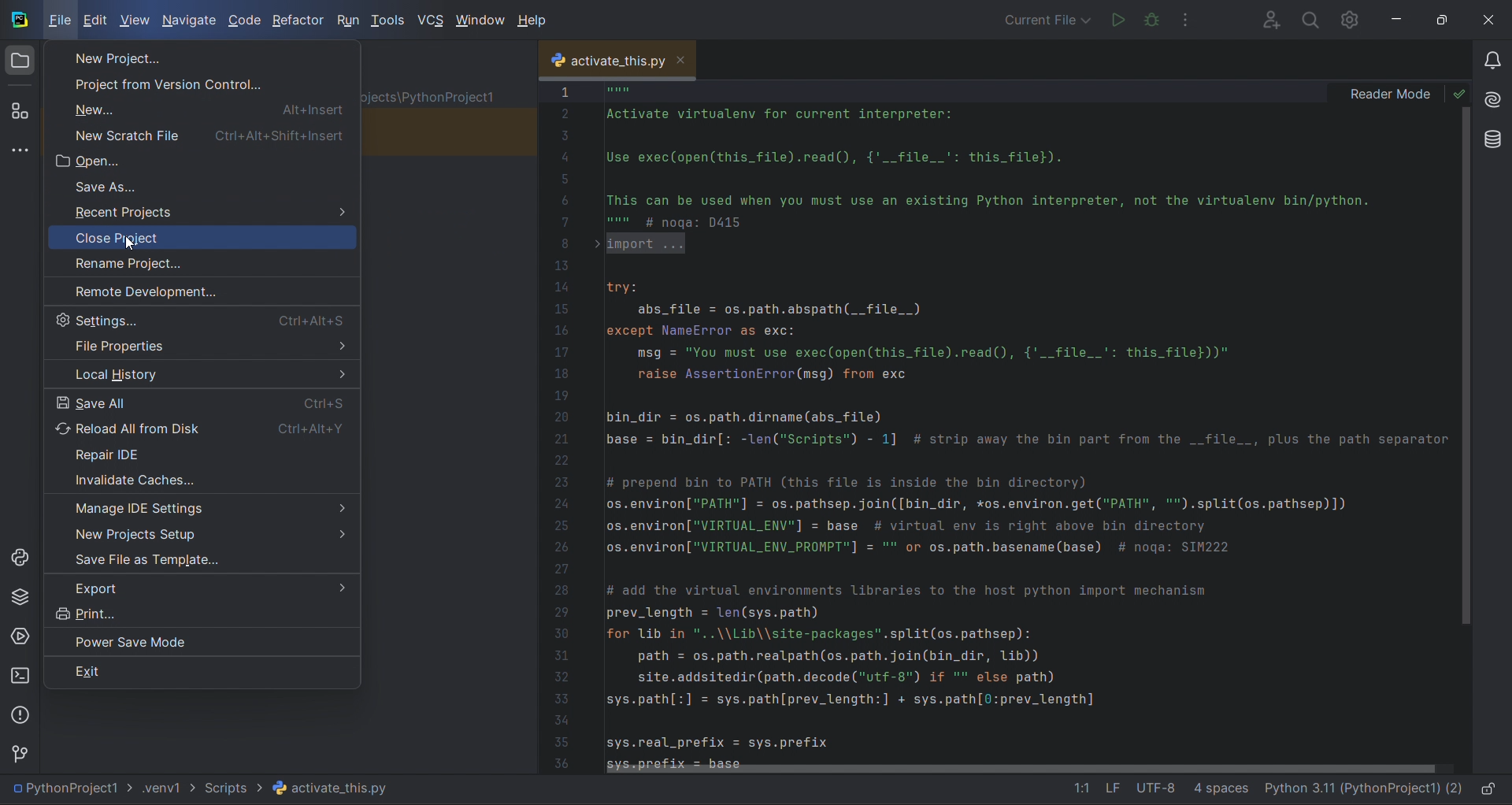  What do you see at coordinates (198, 318) in the screenshot?
I see `settings` at bounding box center [198, 318].